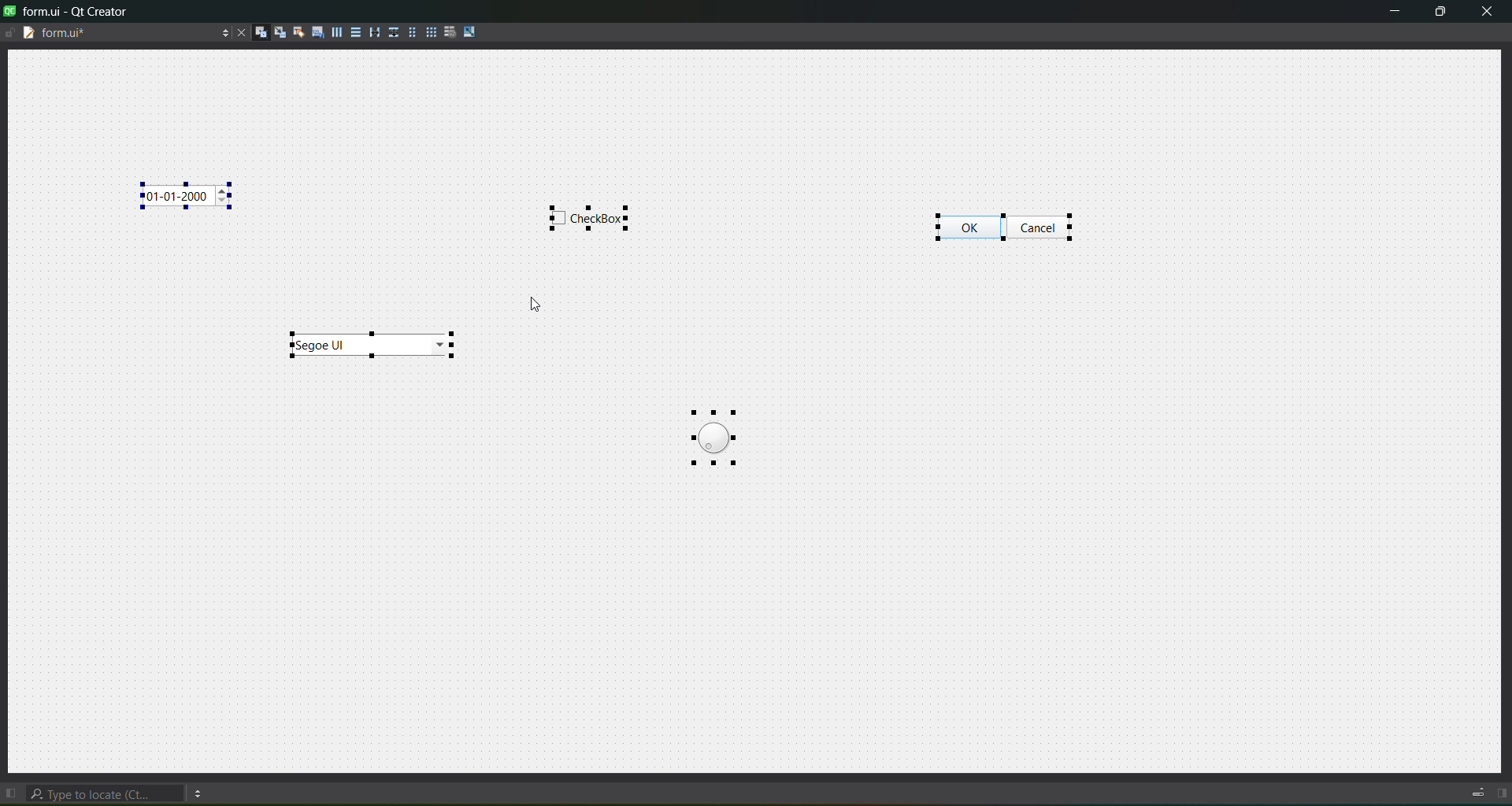  I want to click on Title, so click(69, 11).